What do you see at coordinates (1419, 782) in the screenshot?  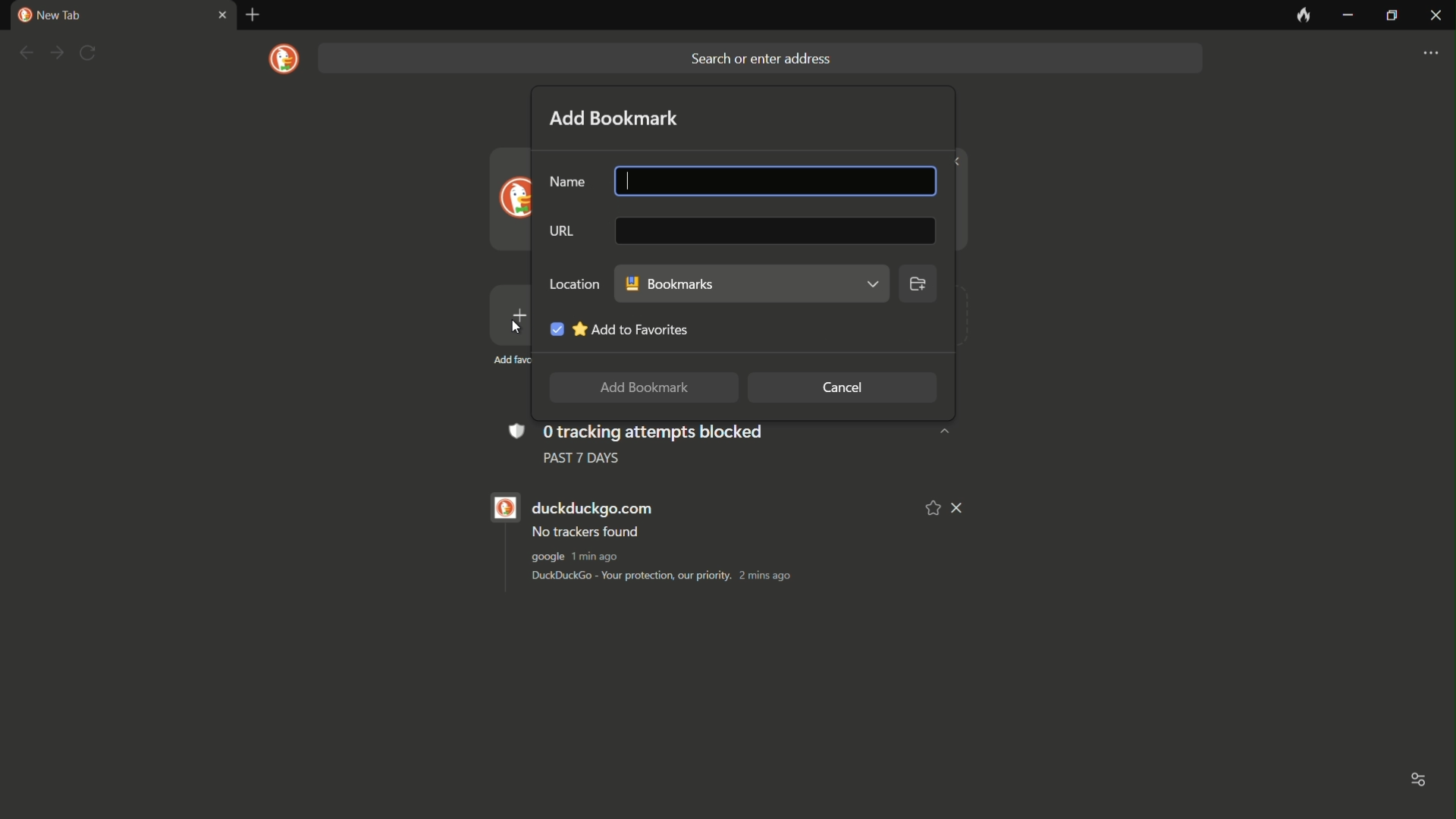 I see `toggle options` at bounding box center [1419, 782].